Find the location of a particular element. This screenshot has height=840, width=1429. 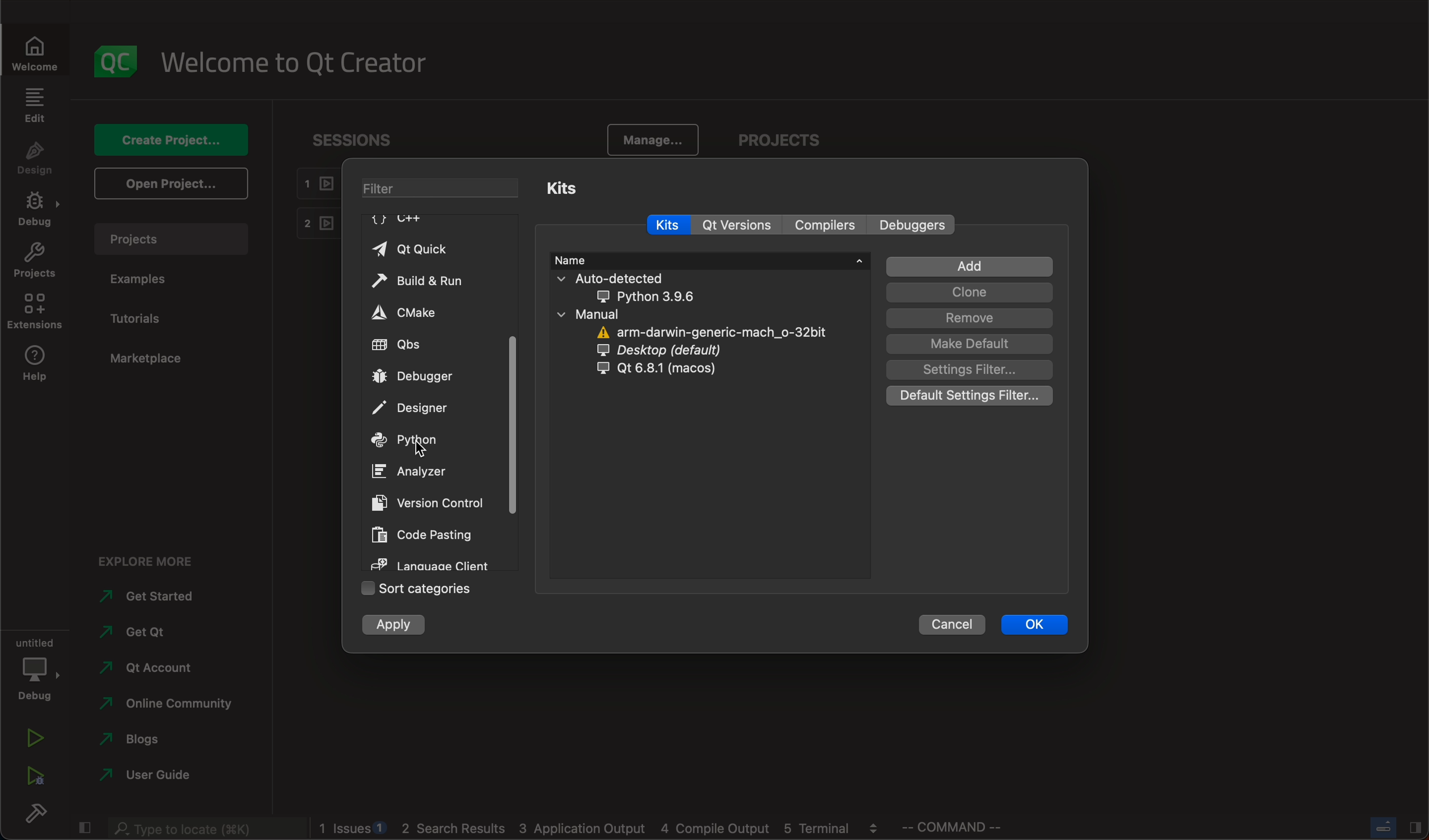

kits is located at coordinates (566, 192).